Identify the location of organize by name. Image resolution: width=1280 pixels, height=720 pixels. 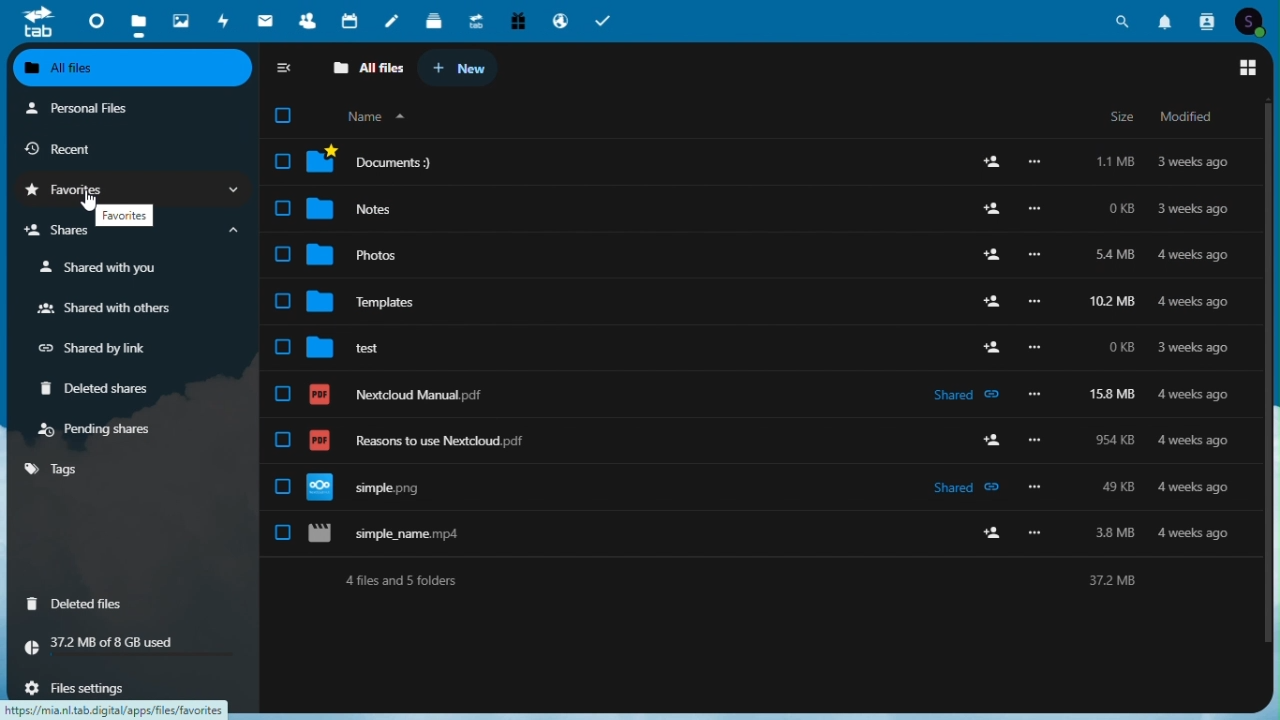
(380, 116).